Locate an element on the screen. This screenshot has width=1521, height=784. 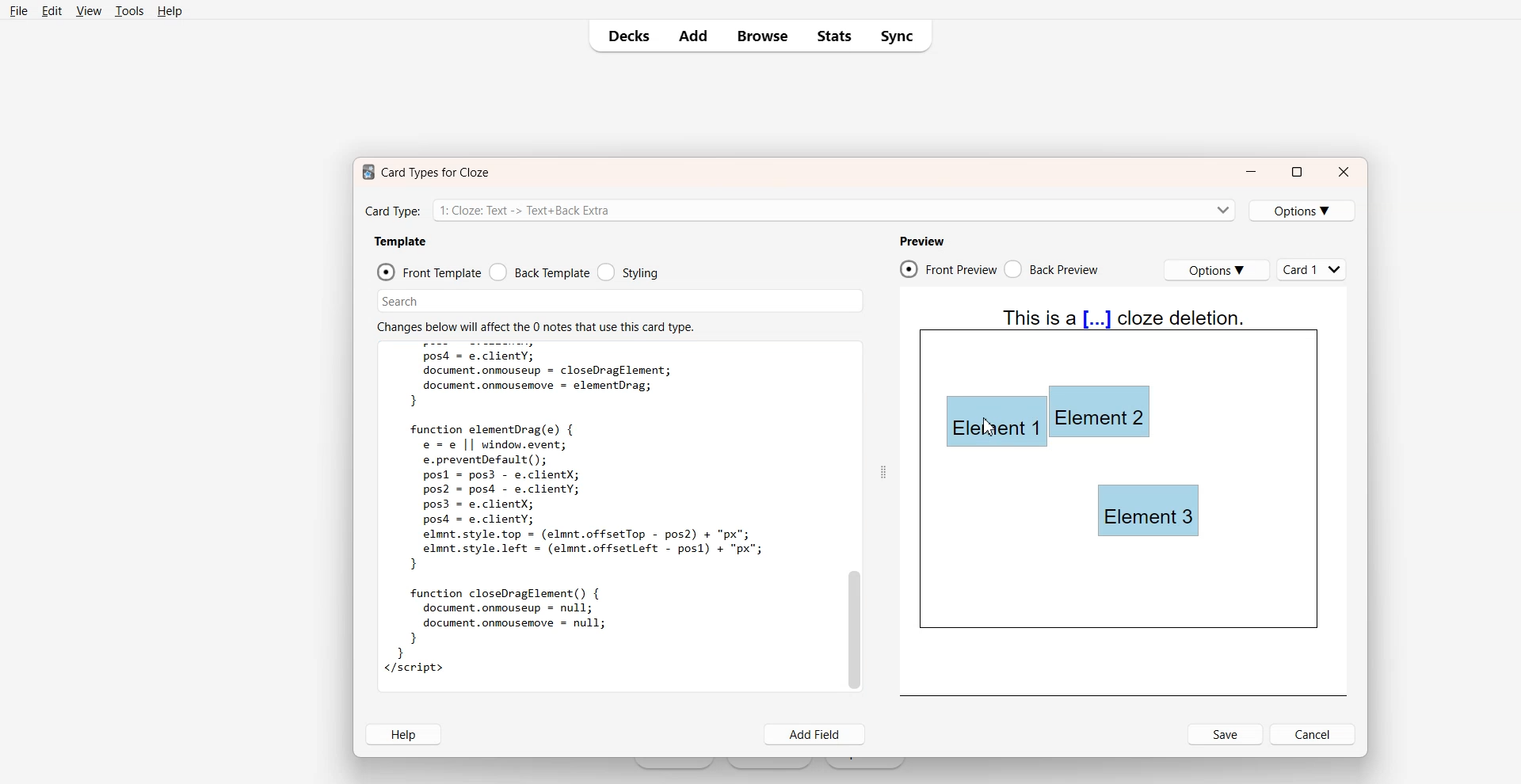
Drag Handle is located at coordinates (882, 471).